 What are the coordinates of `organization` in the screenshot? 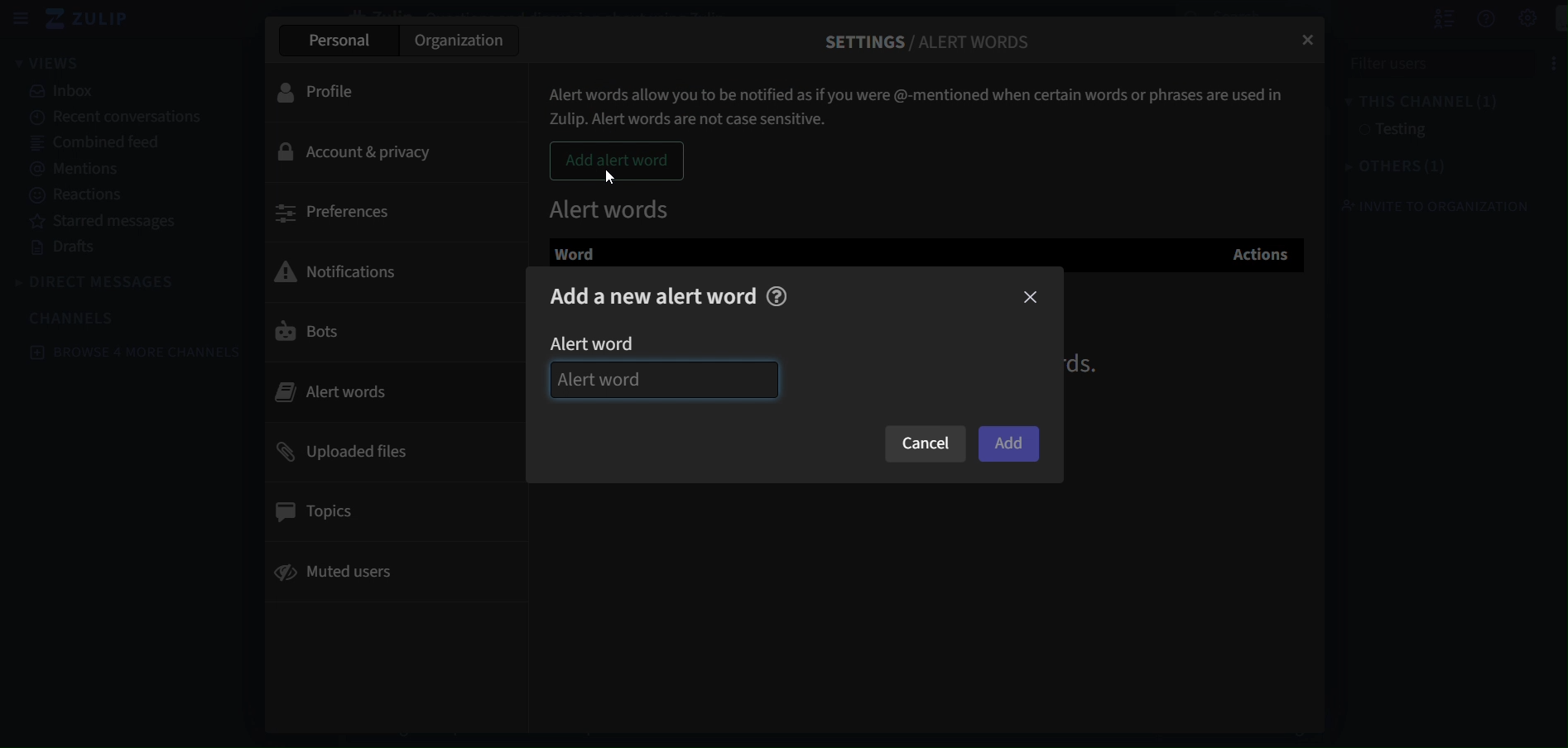 It's located at (464, 40).